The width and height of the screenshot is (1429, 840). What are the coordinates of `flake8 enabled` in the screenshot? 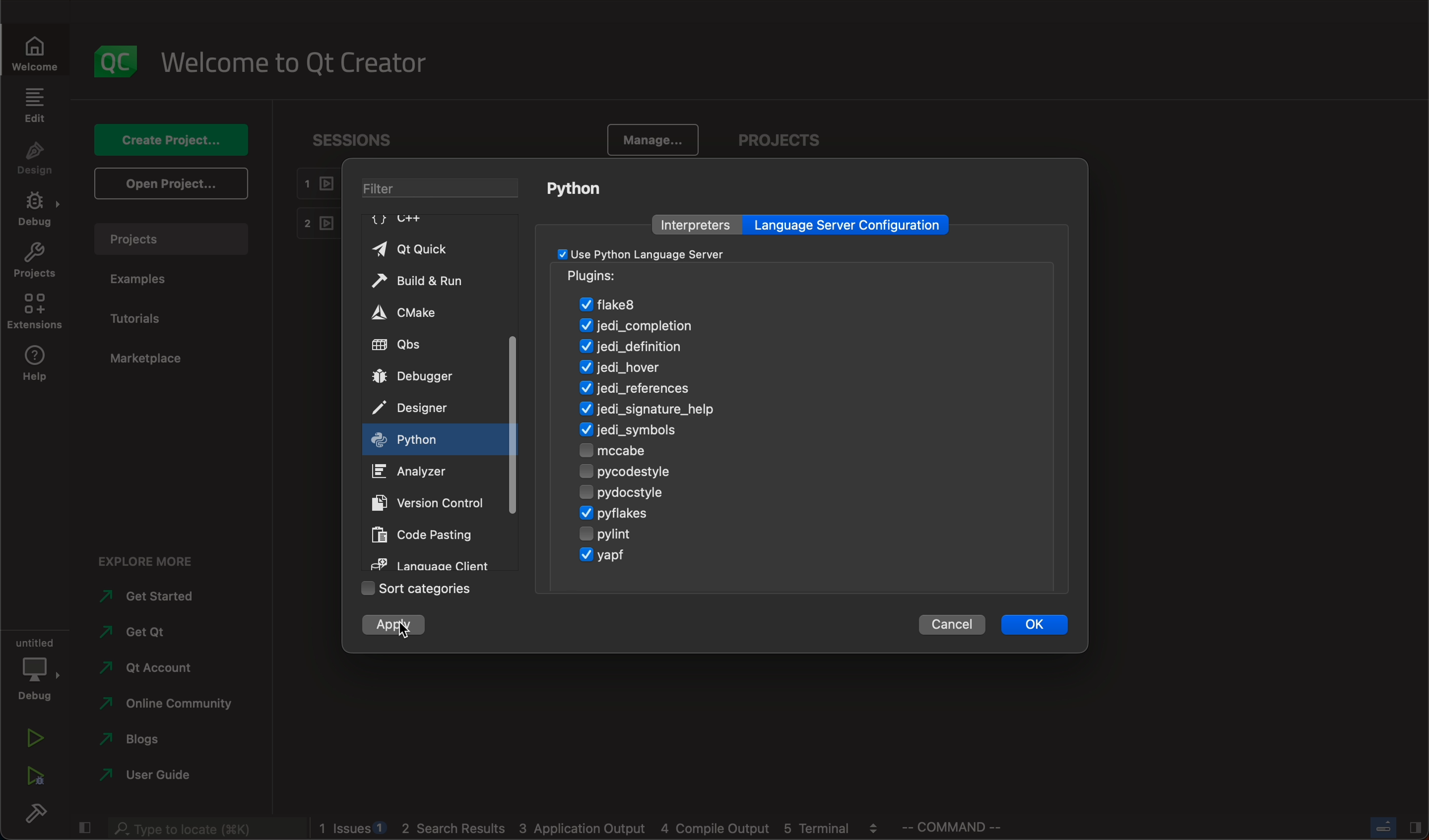 It's located at (616, 305).